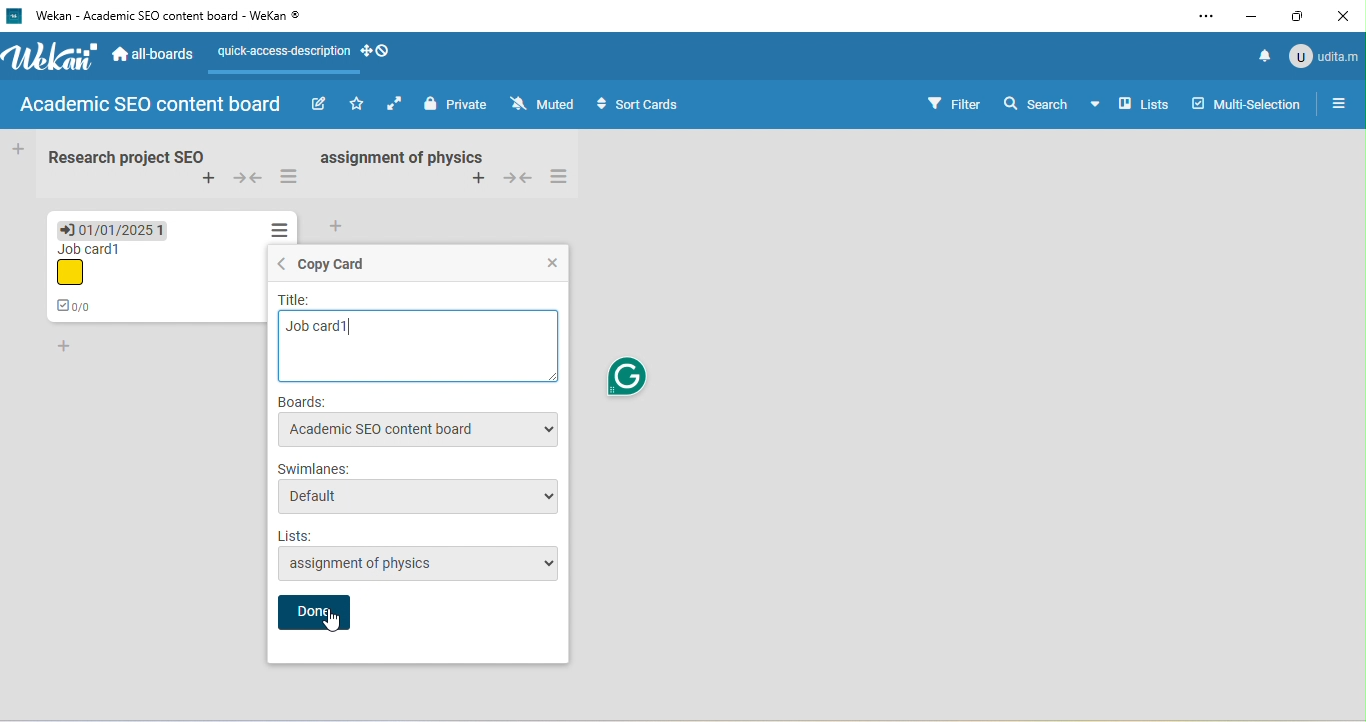 This screenshot has height=722, width=1366. Describe the element at coordinates (88, 265) in the screenshot. I see `job card 1` at that location.